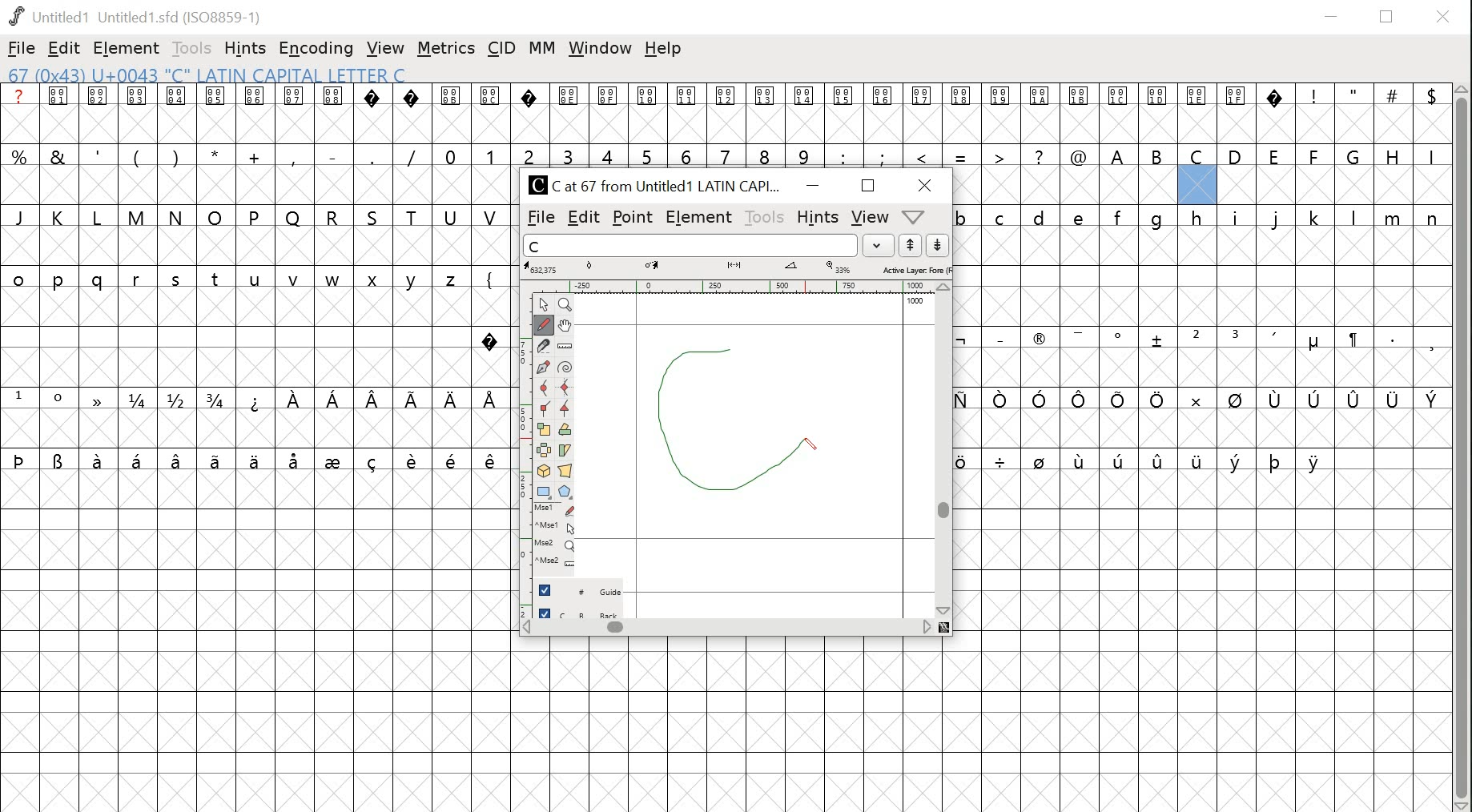 This screenshot has width=1472, height=812. What do you see at coordinates (384, 47) in the screenshot?
I see `view` at bounding box center [384, 47].